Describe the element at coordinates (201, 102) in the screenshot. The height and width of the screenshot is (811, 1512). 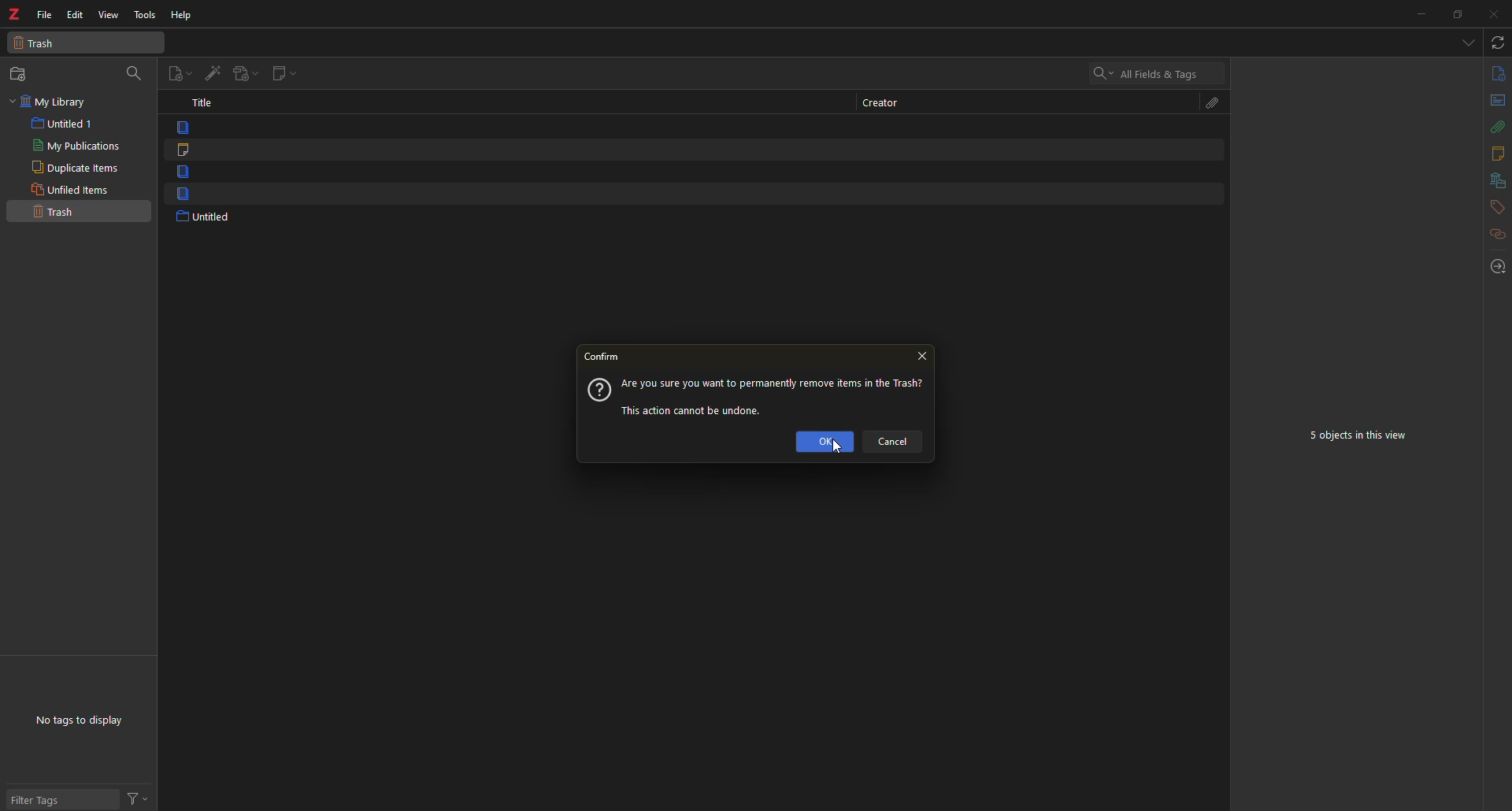
I see `title` at that location.